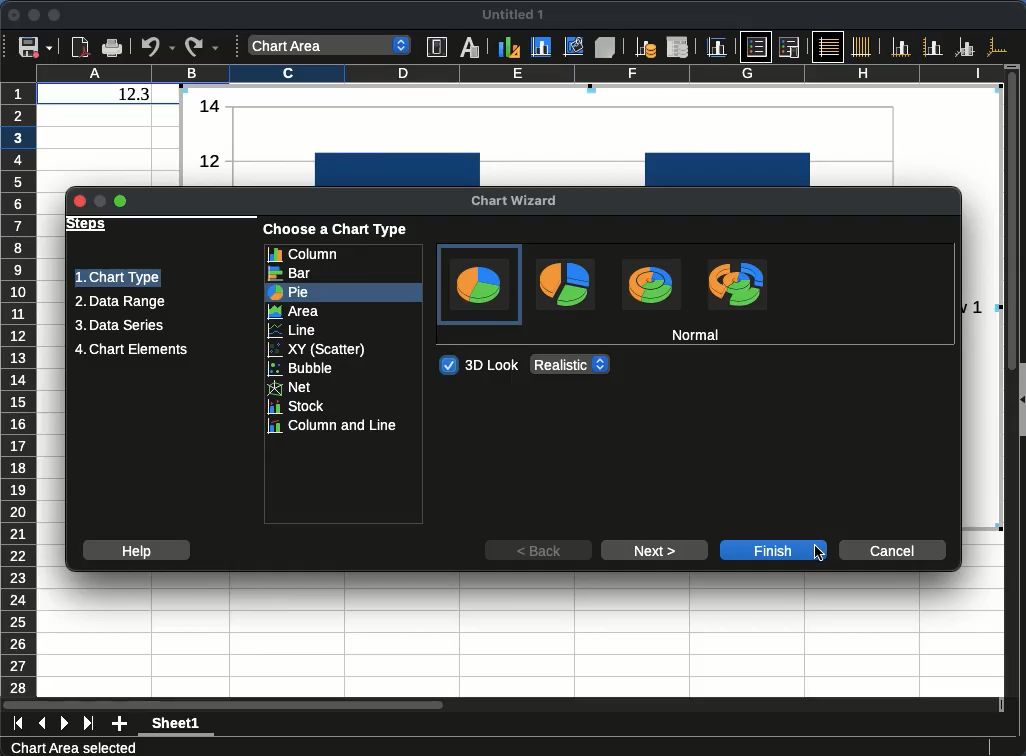  I want to click on X axis, so click(901, 47).